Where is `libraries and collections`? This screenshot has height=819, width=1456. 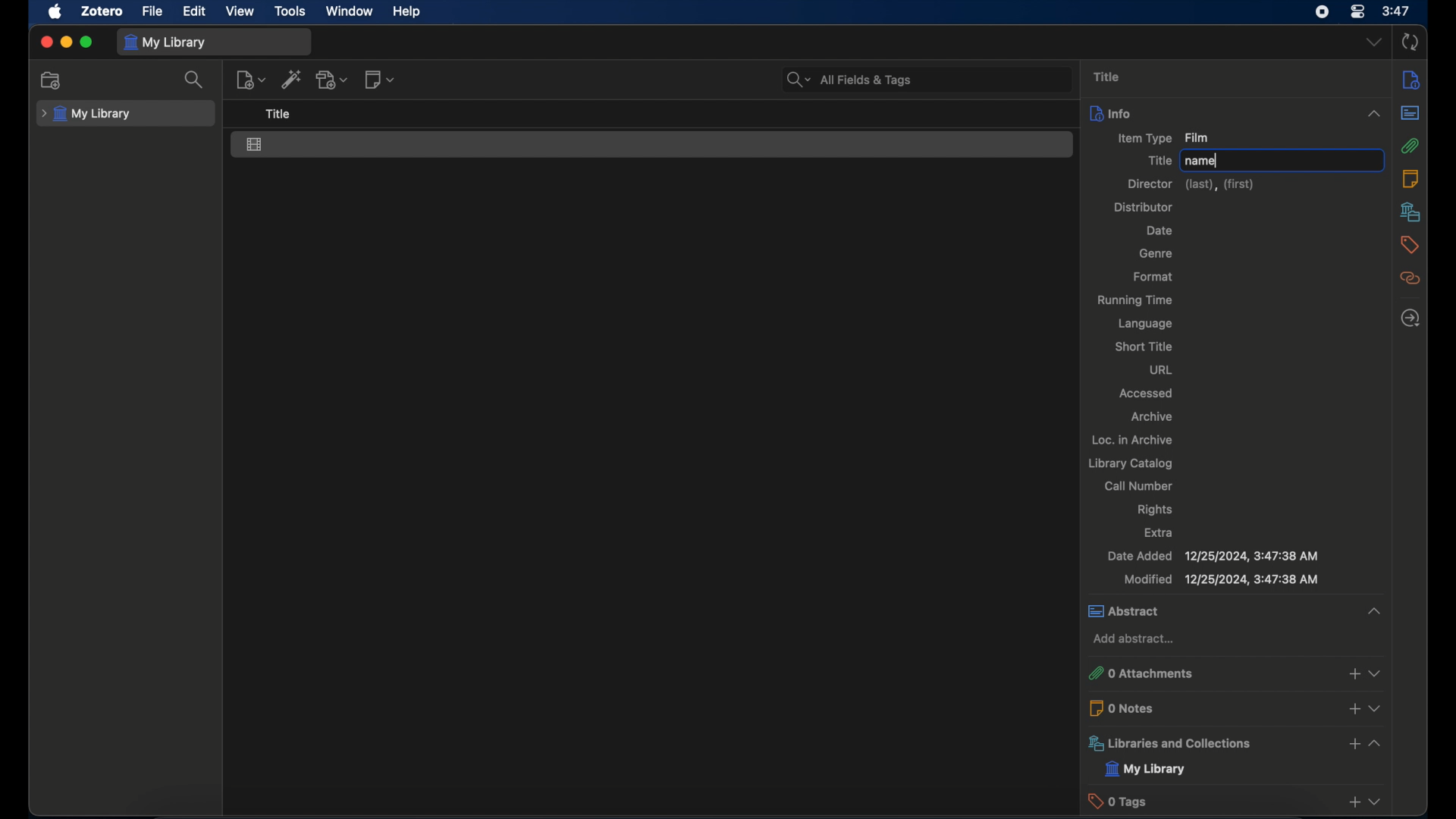
libraries and collections is located at coordinates (1203, 742).